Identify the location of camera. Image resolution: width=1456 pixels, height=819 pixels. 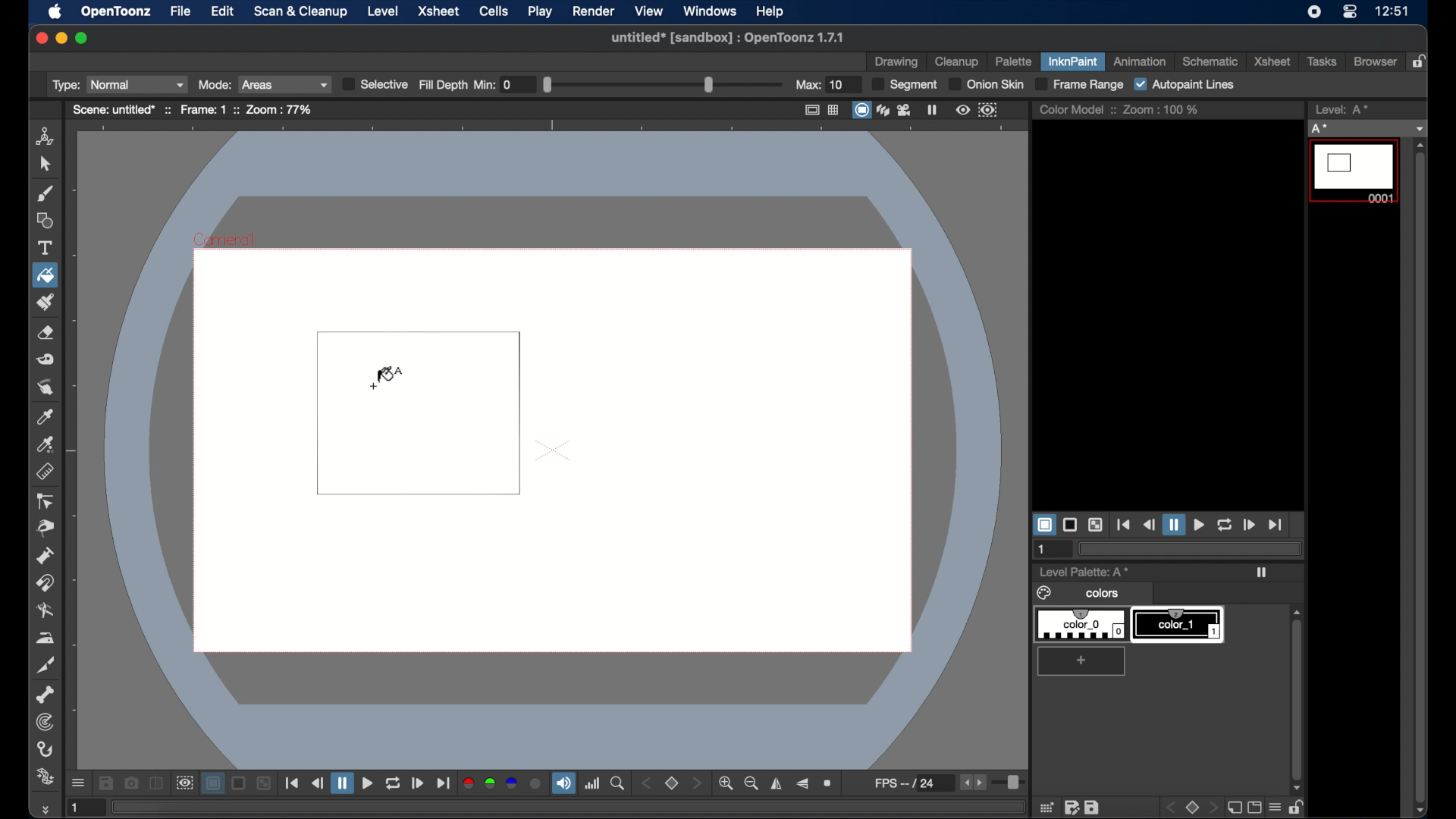
(906, 109).